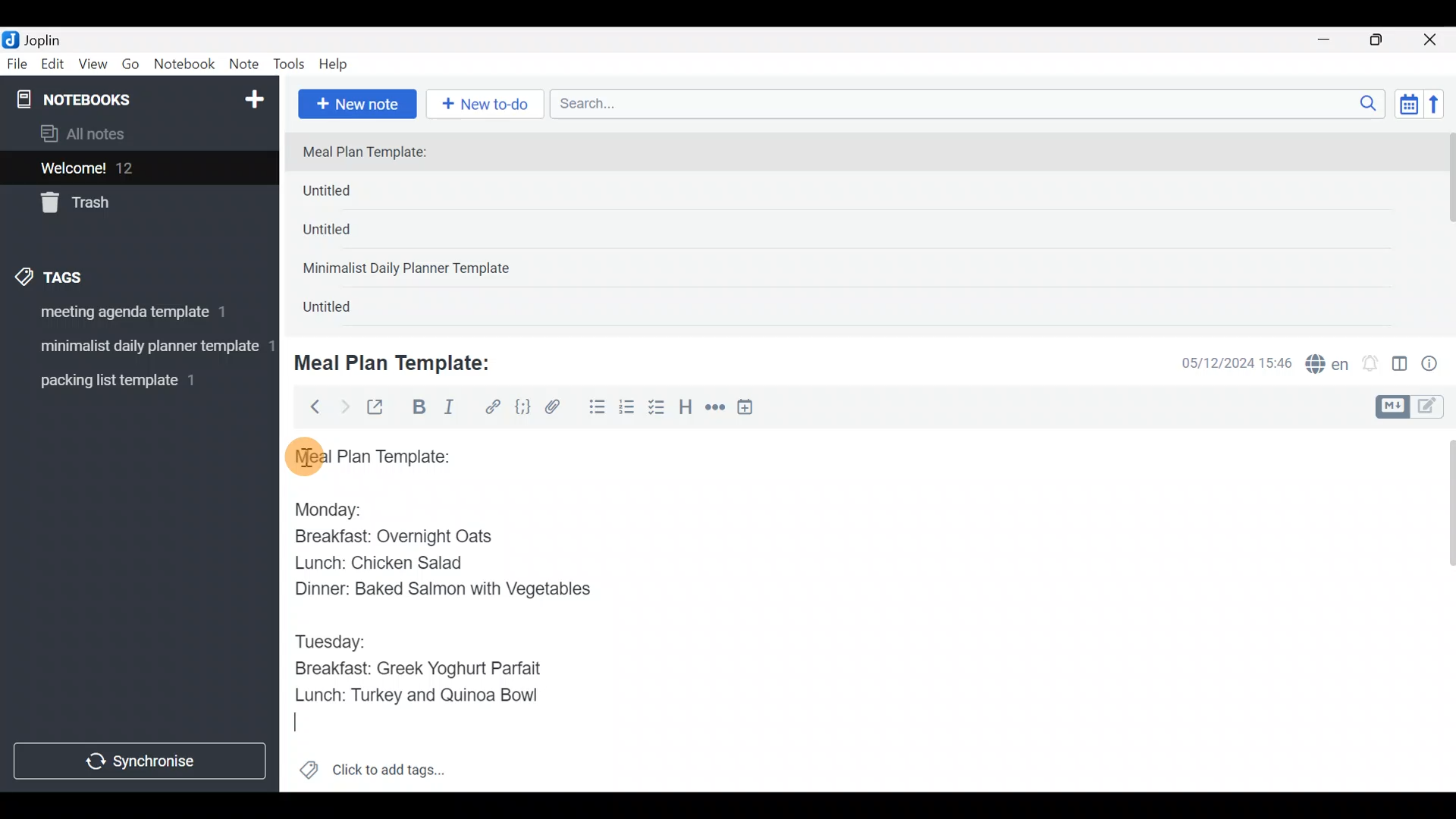  What do you see at coordinates (594, 408) in the screenshot?
I see `Bulleted list` at bounding box center [594, 408].